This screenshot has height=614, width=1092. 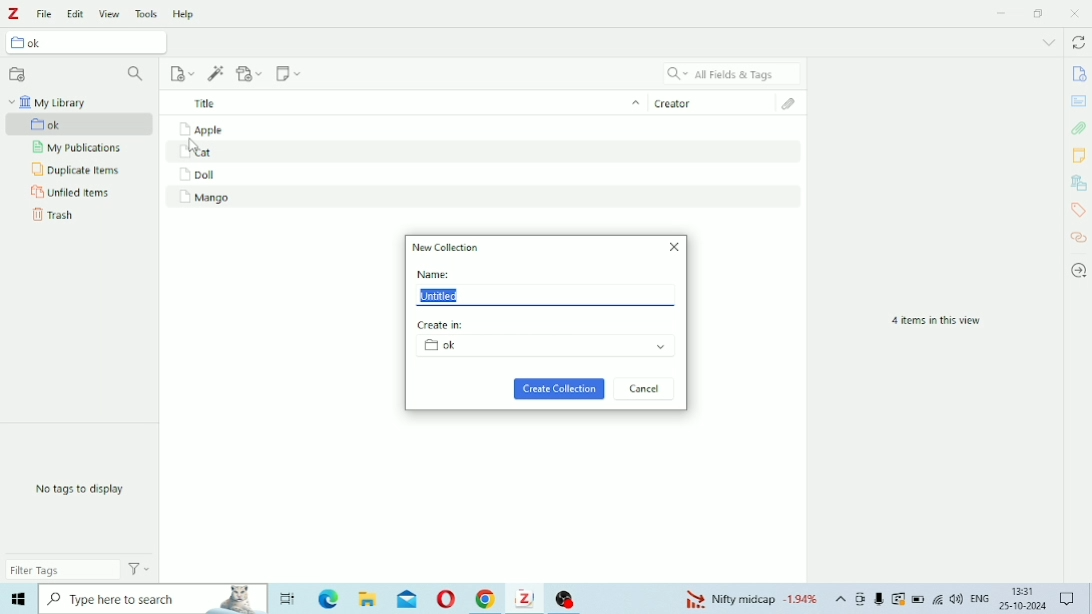 What do you see at coordinates (139, 568) in the screenshot?
I see `Actions` at bounding box center [139, 568].